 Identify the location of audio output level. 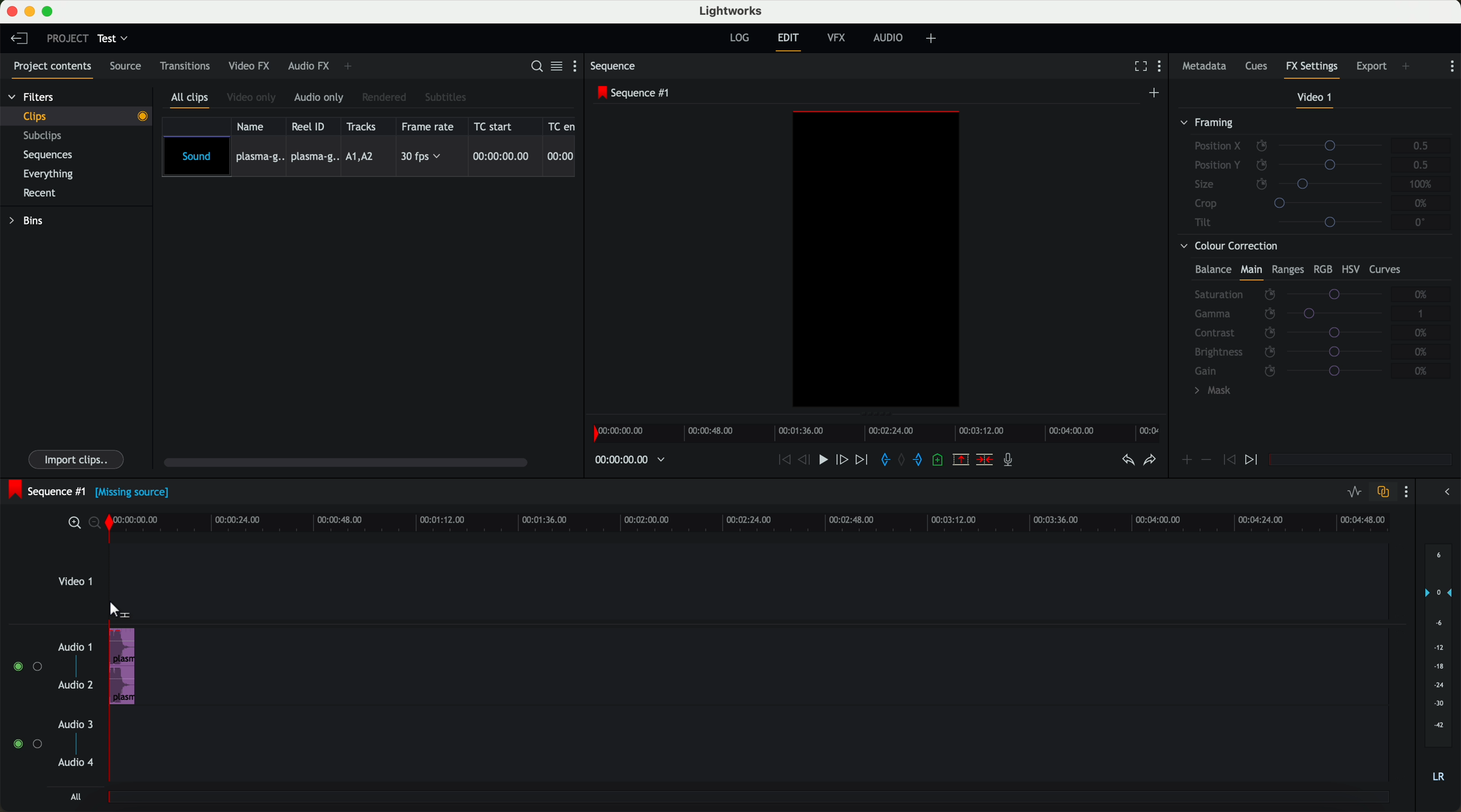
(1439, 670).